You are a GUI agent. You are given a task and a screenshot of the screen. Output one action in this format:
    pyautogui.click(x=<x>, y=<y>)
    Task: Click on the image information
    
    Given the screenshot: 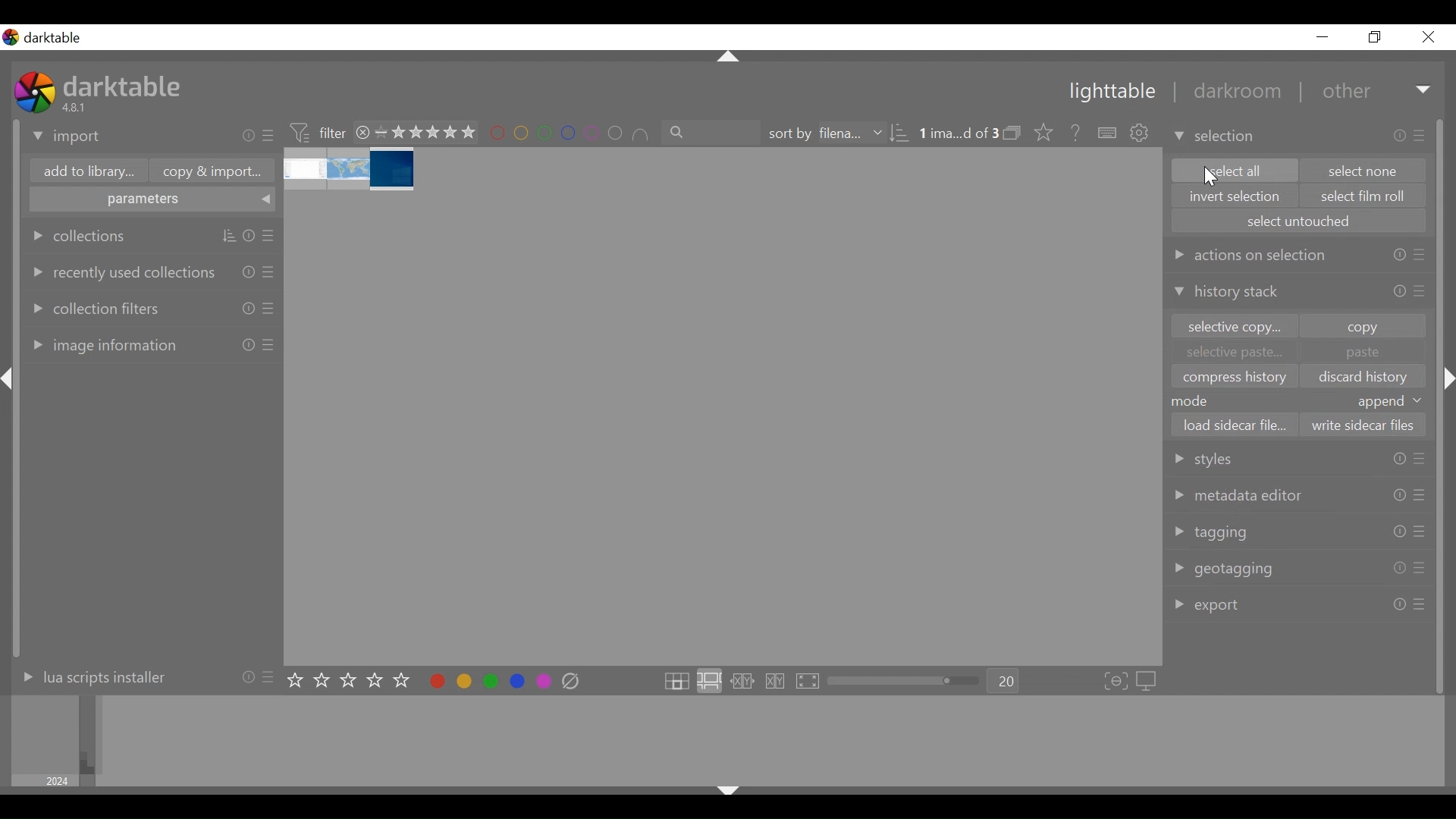 What is the action you would take?
    pyautogui.click(x=102, y=344)
    